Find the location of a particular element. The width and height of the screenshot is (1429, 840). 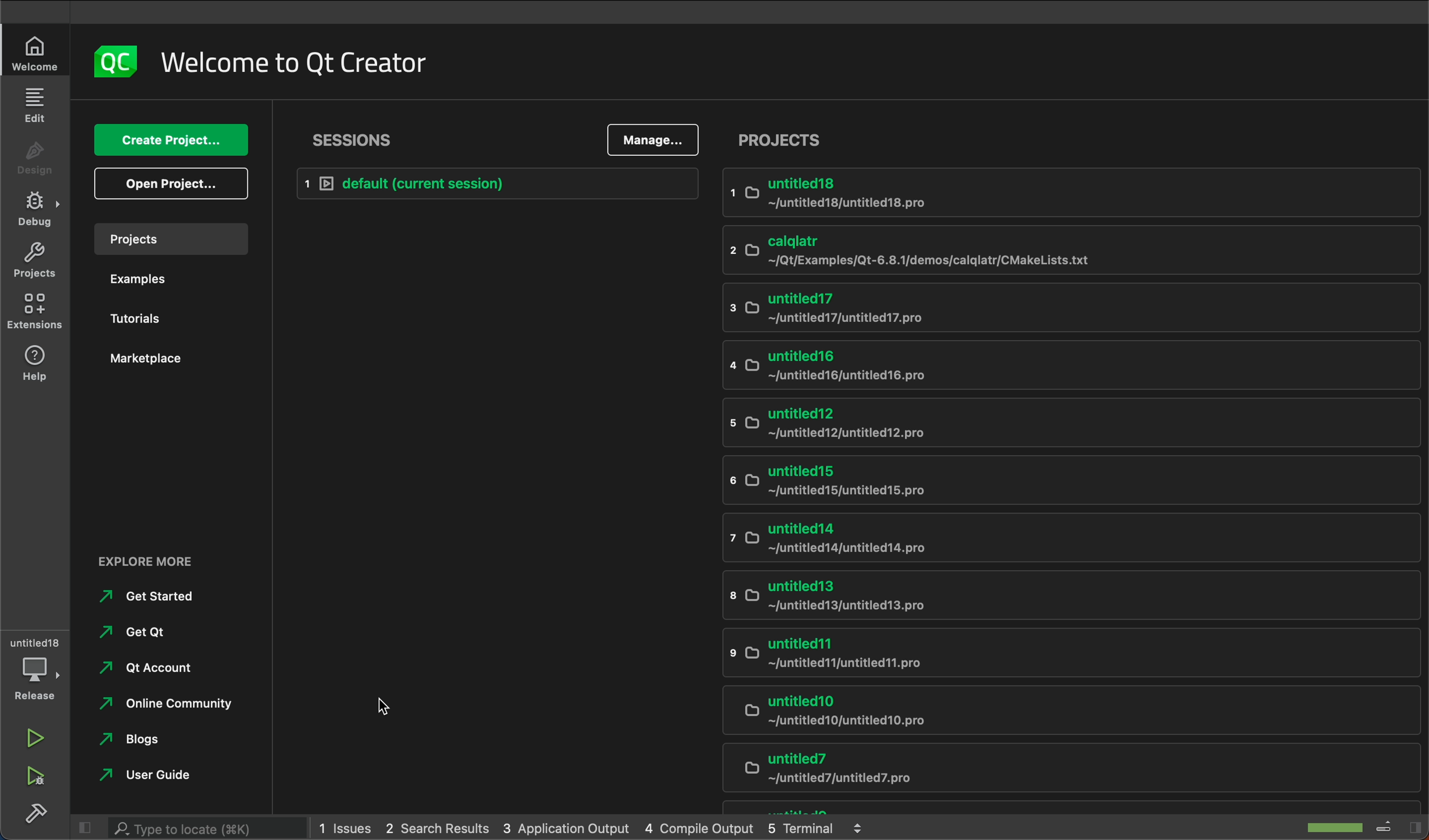

sessions is located at coordinates (355, 138).